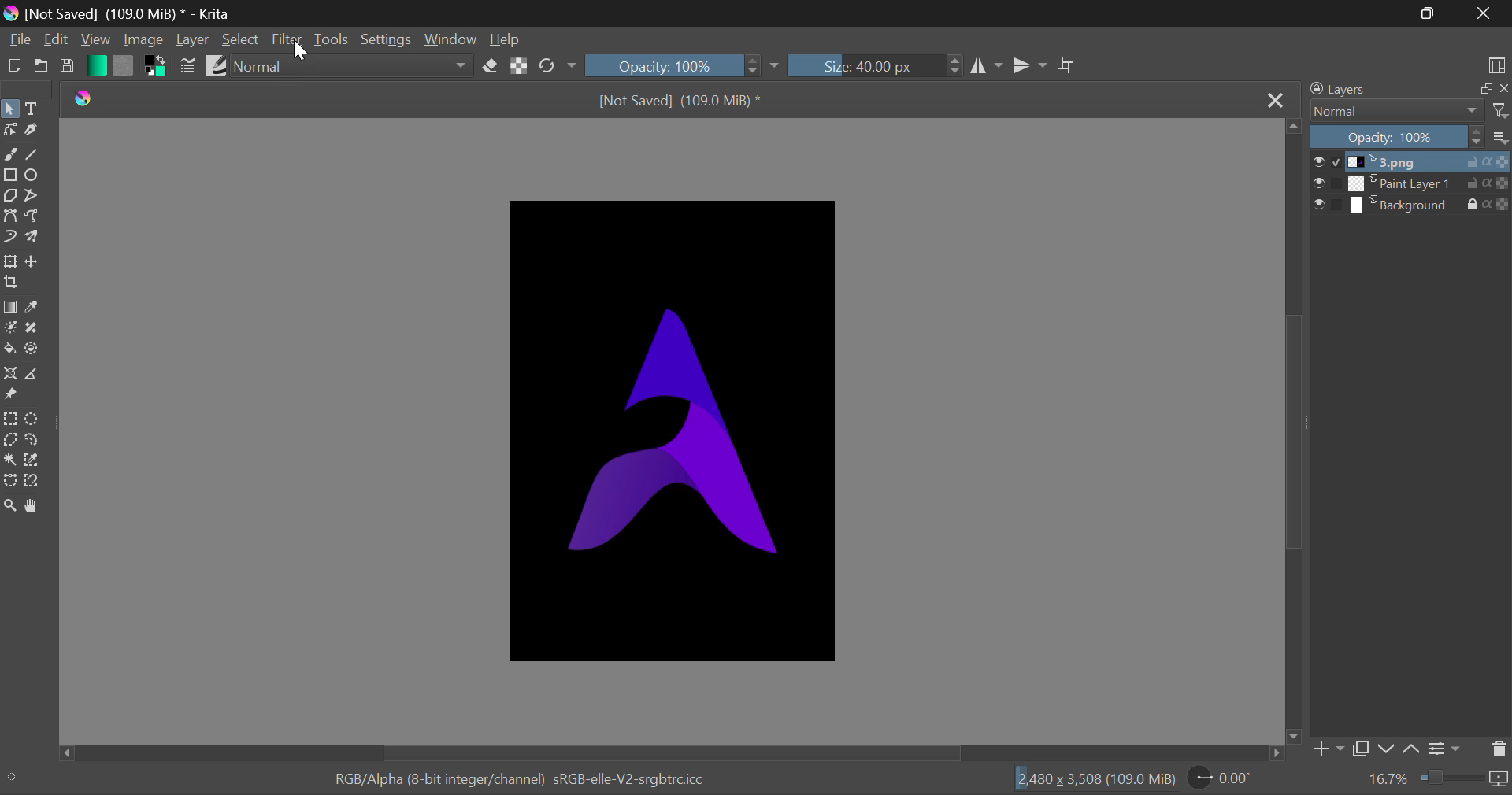 The width and height of the screenshot is (1512, 795). I want to click on Close, so click(1277, 102).